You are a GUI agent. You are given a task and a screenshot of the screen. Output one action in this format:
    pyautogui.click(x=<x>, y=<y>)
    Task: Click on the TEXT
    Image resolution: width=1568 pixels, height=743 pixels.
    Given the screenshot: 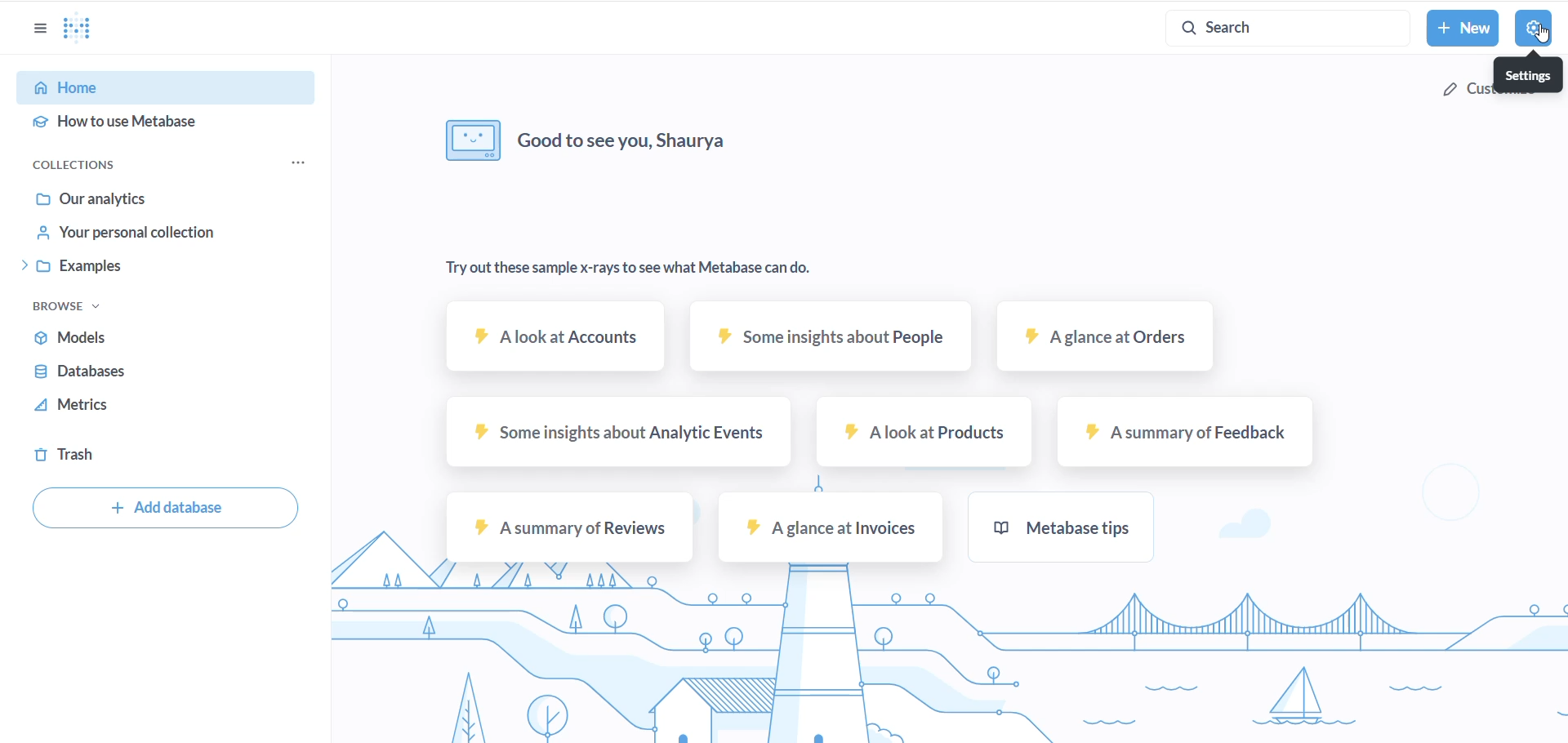 What is the action you would take?
    pyautogui.click(x=679, y=147)
    